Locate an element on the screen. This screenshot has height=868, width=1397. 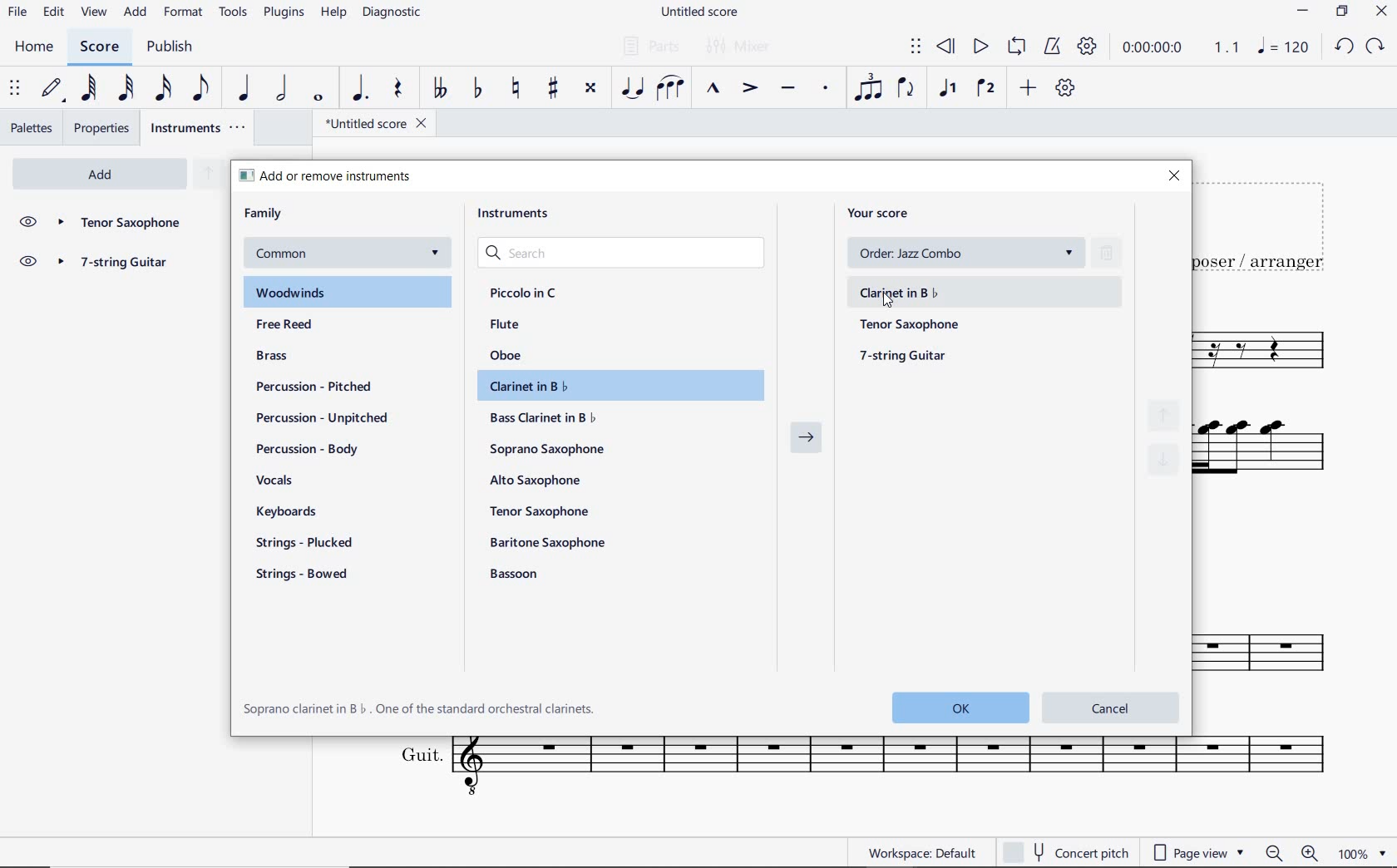
concert pitch is located at coordinates (1065, 852).